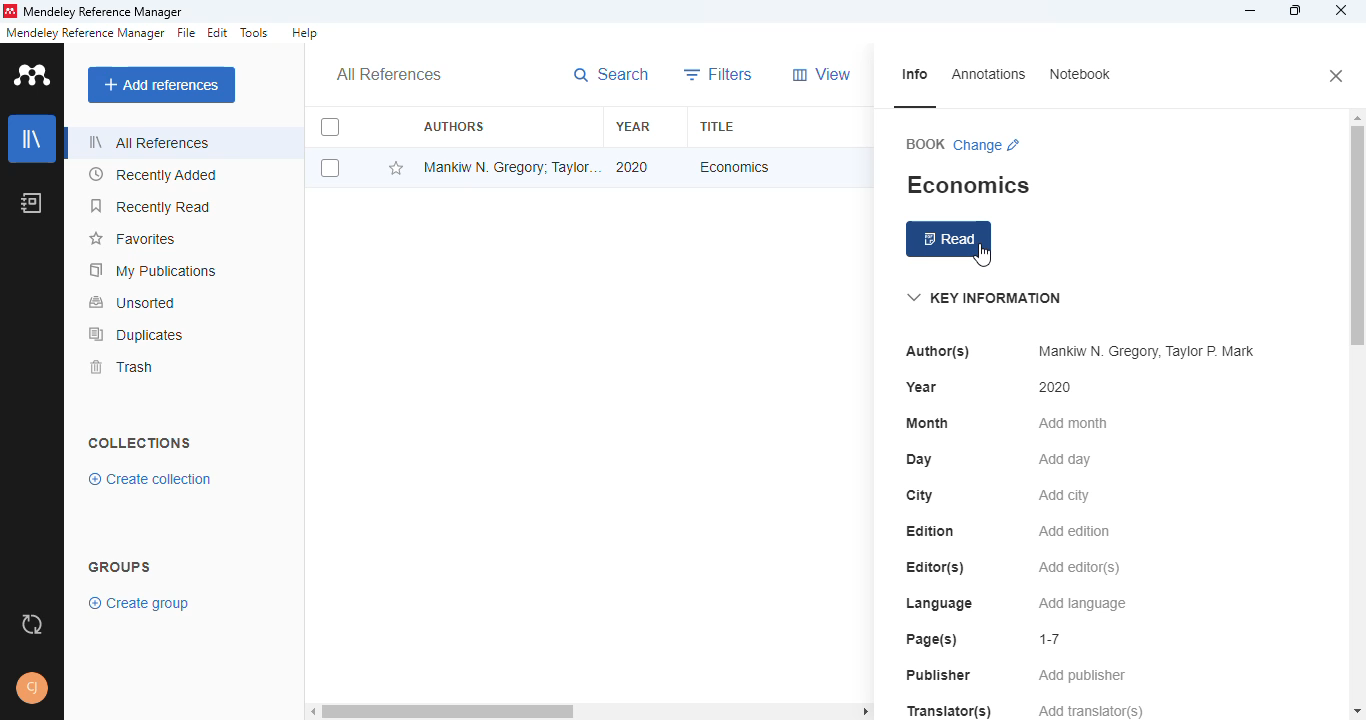  Describe the element at coordinates (951, 712) in the screenshot. I see `translator(s)` at that location.